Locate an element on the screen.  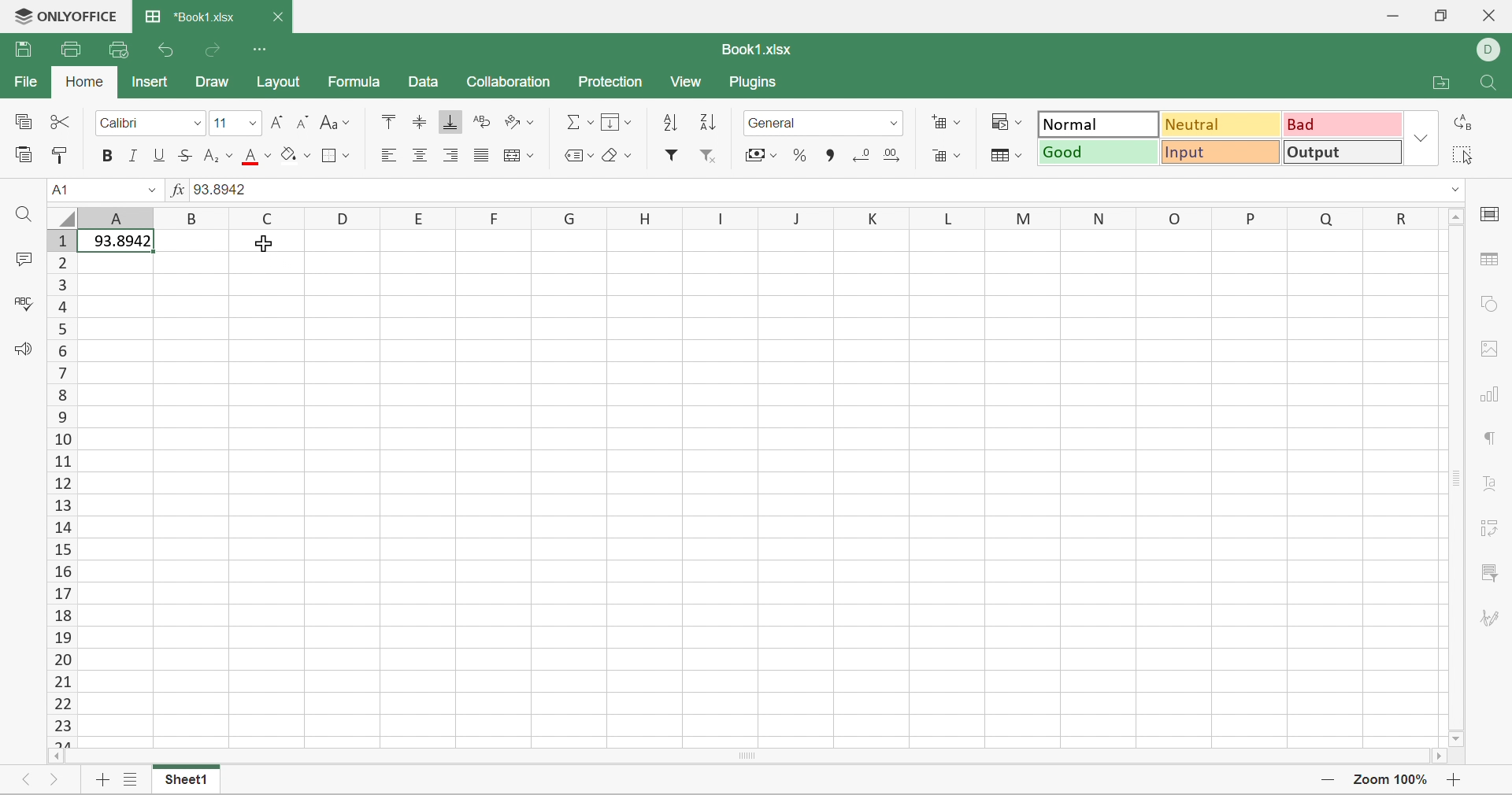
Save is located at coordinates (21, 50).